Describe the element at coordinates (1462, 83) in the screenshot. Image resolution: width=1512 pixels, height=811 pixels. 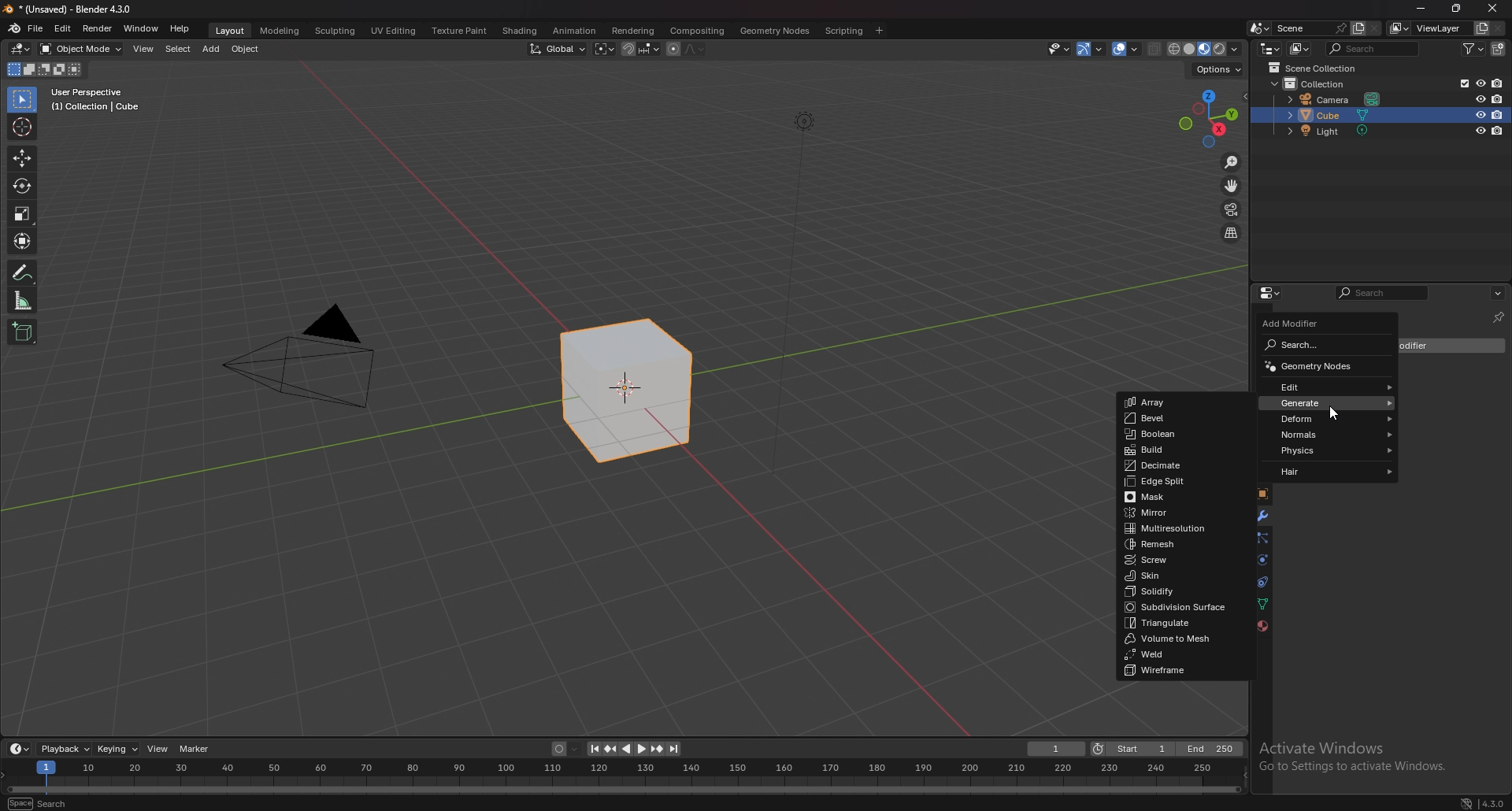
I see `exclude from view layer` at that location.